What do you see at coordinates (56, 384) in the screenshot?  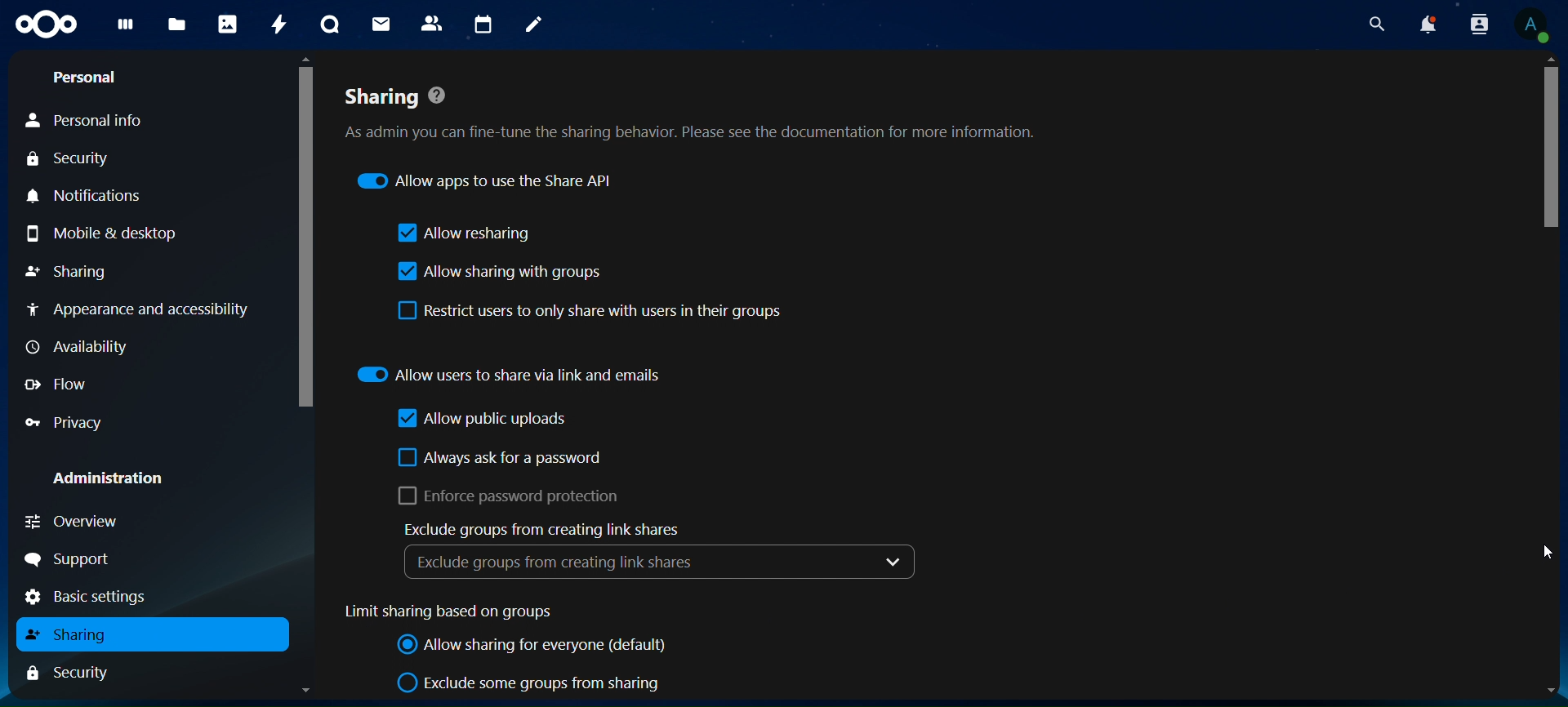 I see `flow` at bounding box center [56, 384].